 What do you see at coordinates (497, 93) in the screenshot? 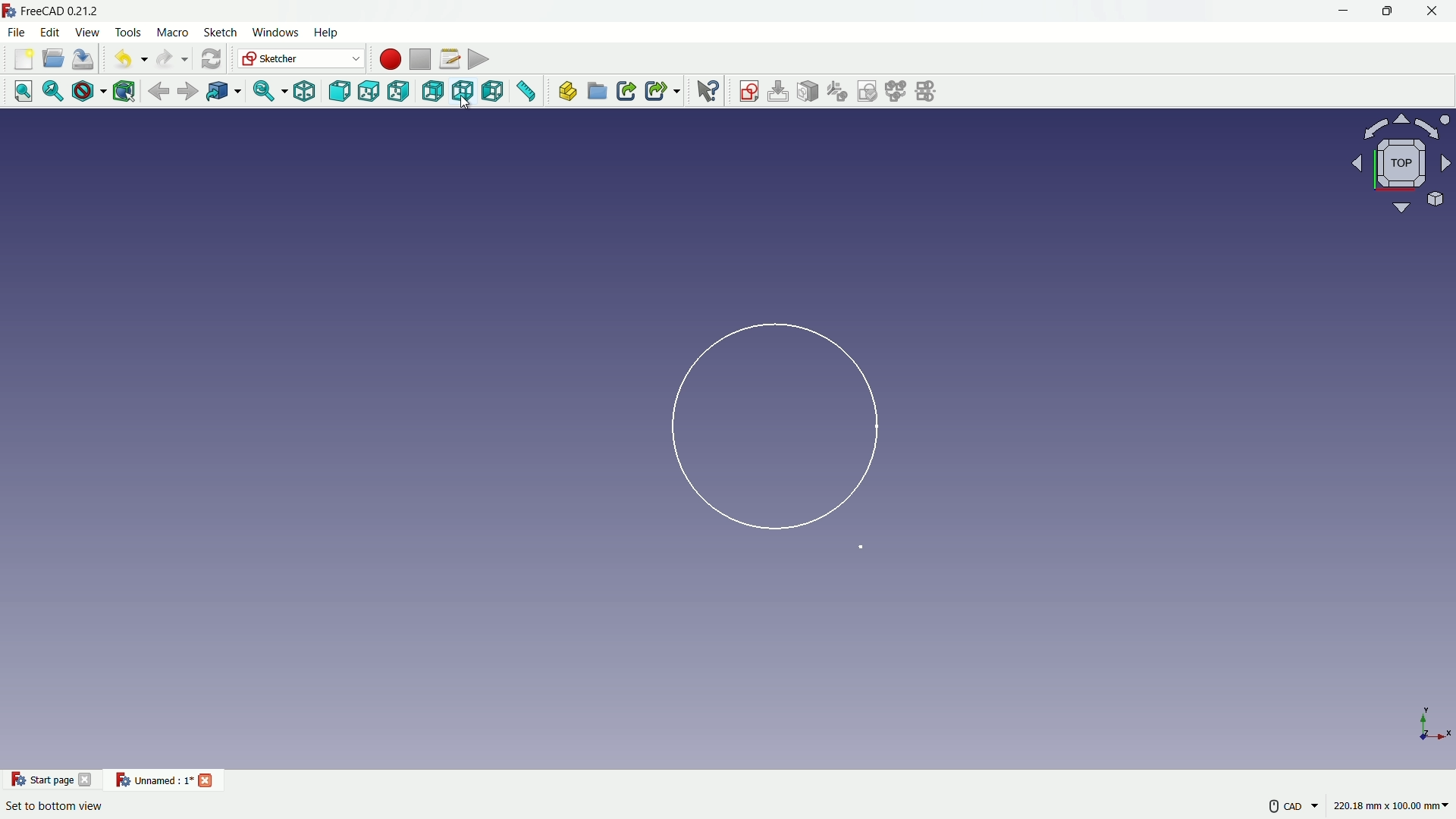
I see `left view` at bounding box center [497, 93].